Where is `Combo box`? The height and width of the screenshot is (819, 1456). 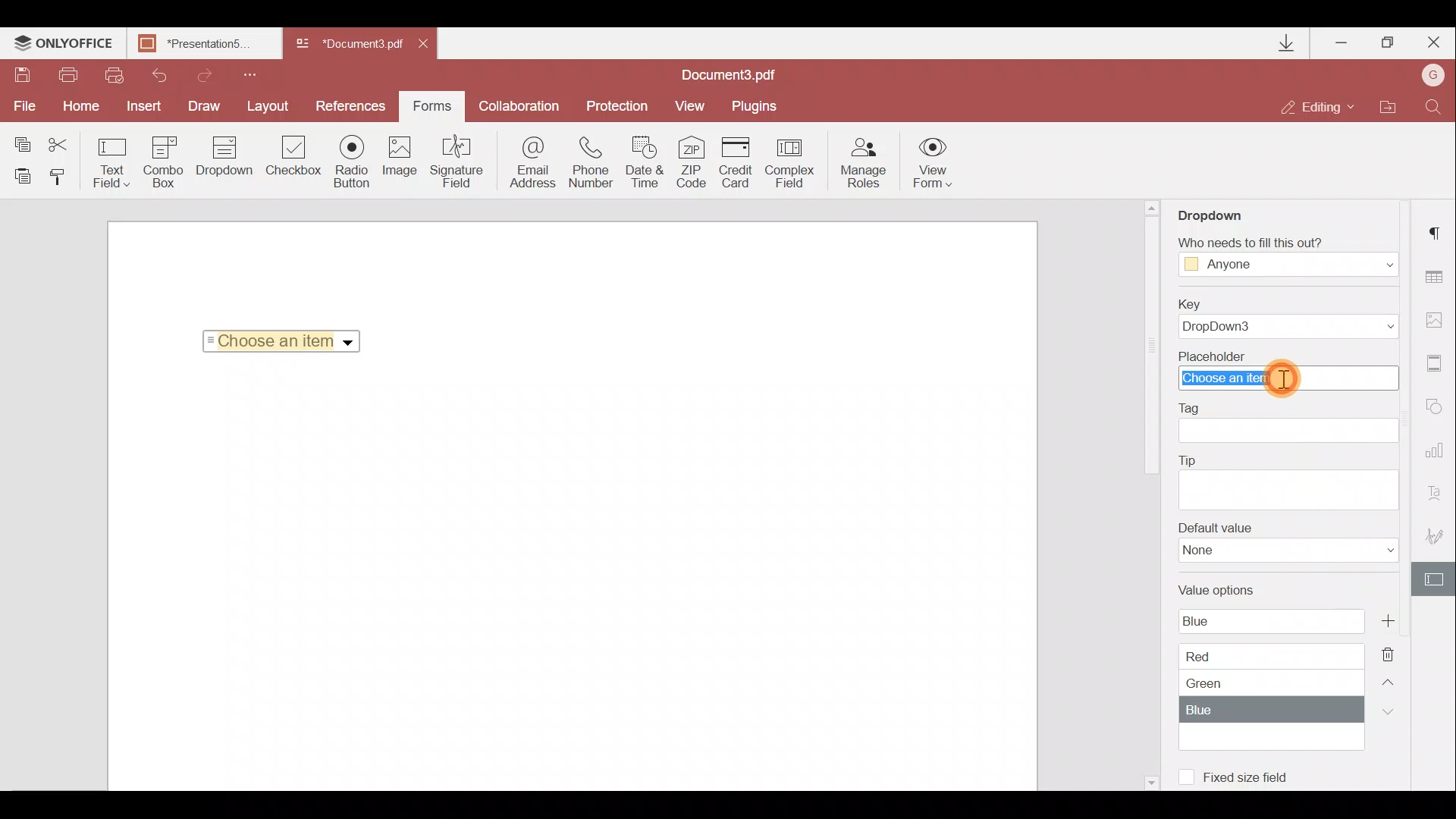
Combo box is located at coordinates (162, 162).